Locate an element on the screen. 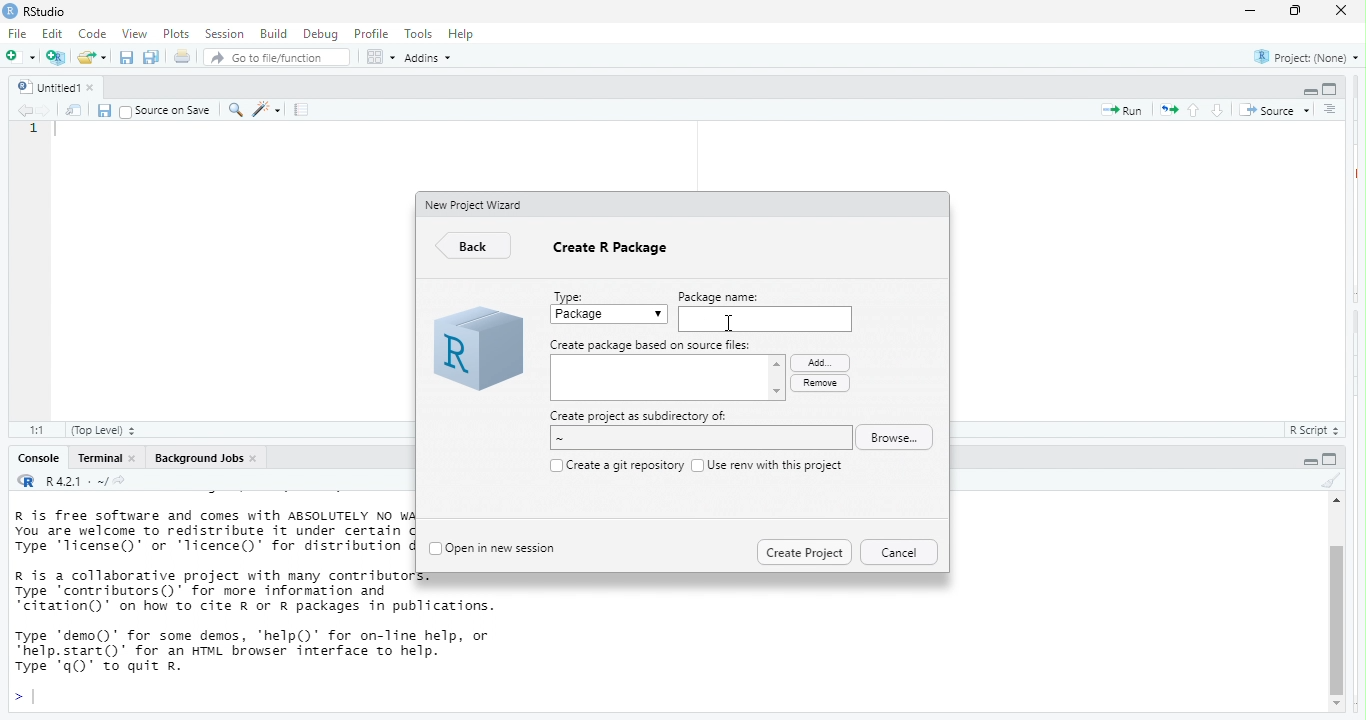 Image resolution: width=1366 pixels, height=720 pixels. r studio logo is located at coordinates (27, 482).